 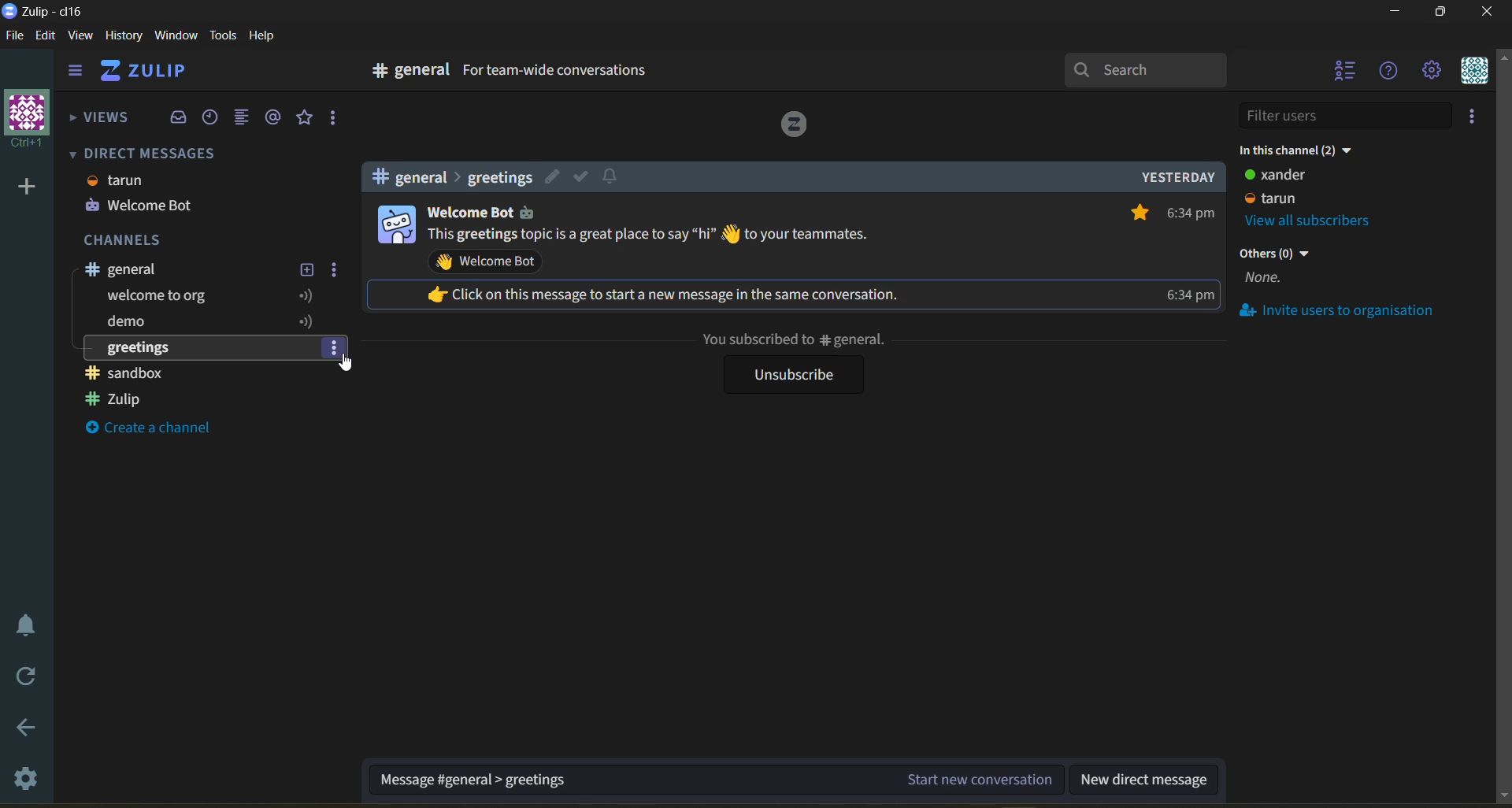 What do you see at coordinates (554, 176) in the screenshot?
I see `edit` at bounding box center [554, 176].